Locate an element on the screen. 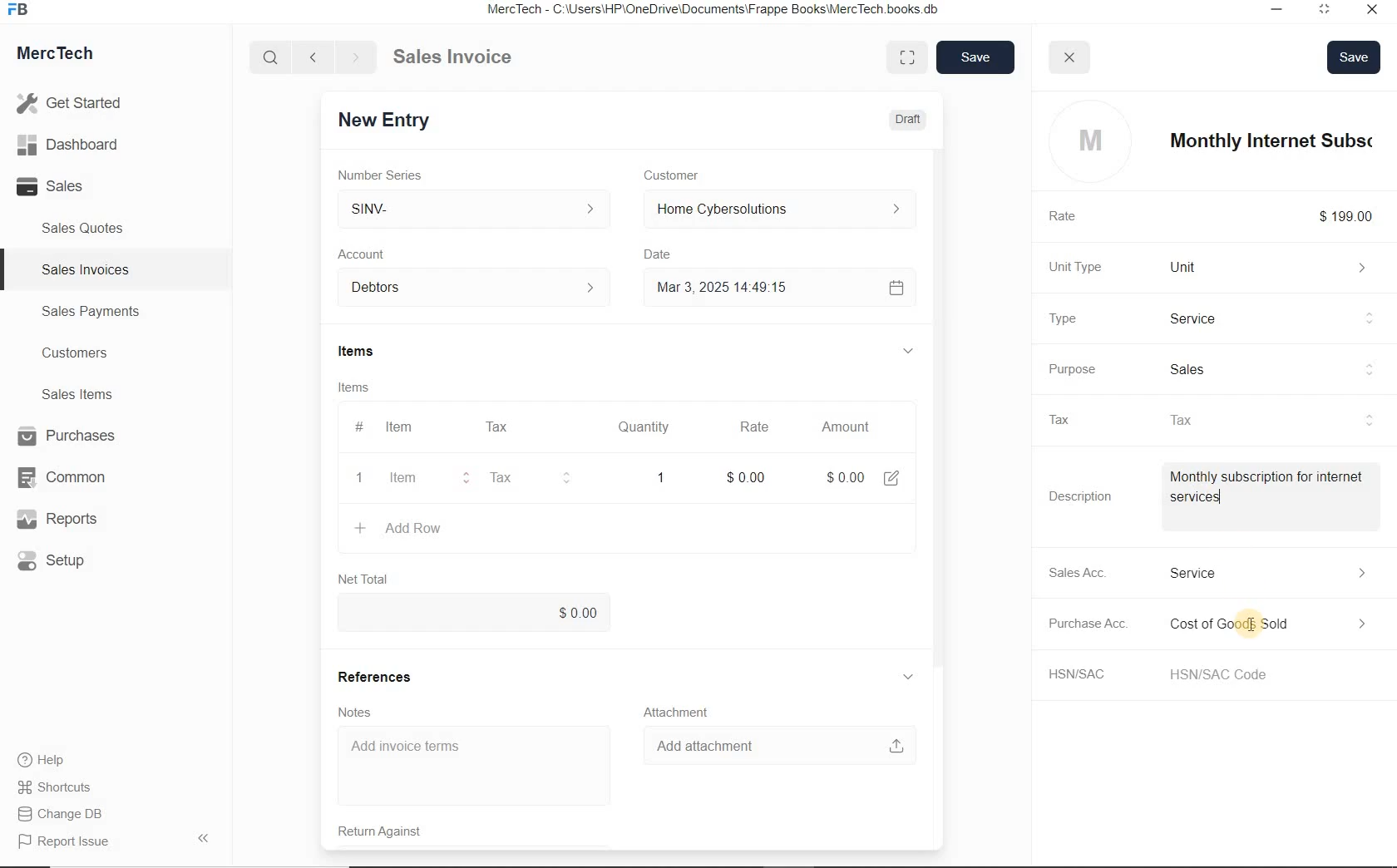 The width and height of the screenshot is (1397, 868). HSN/SAC Code is located at coordinates (1226, 673).